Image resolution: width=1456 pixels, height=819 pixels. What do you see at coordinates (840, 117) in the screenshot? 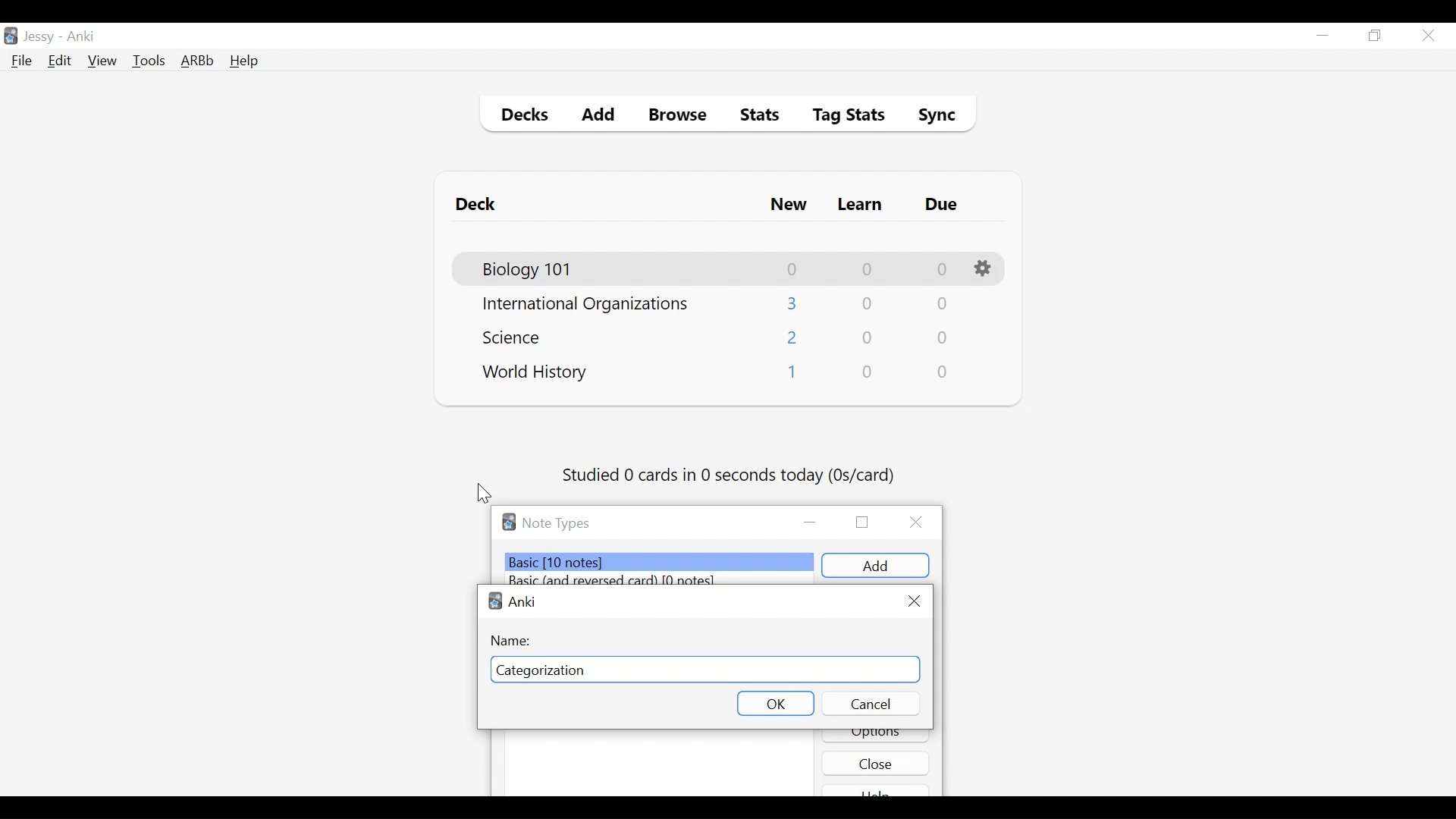
I see `Tag Stats` at bounding box center [840, 117].